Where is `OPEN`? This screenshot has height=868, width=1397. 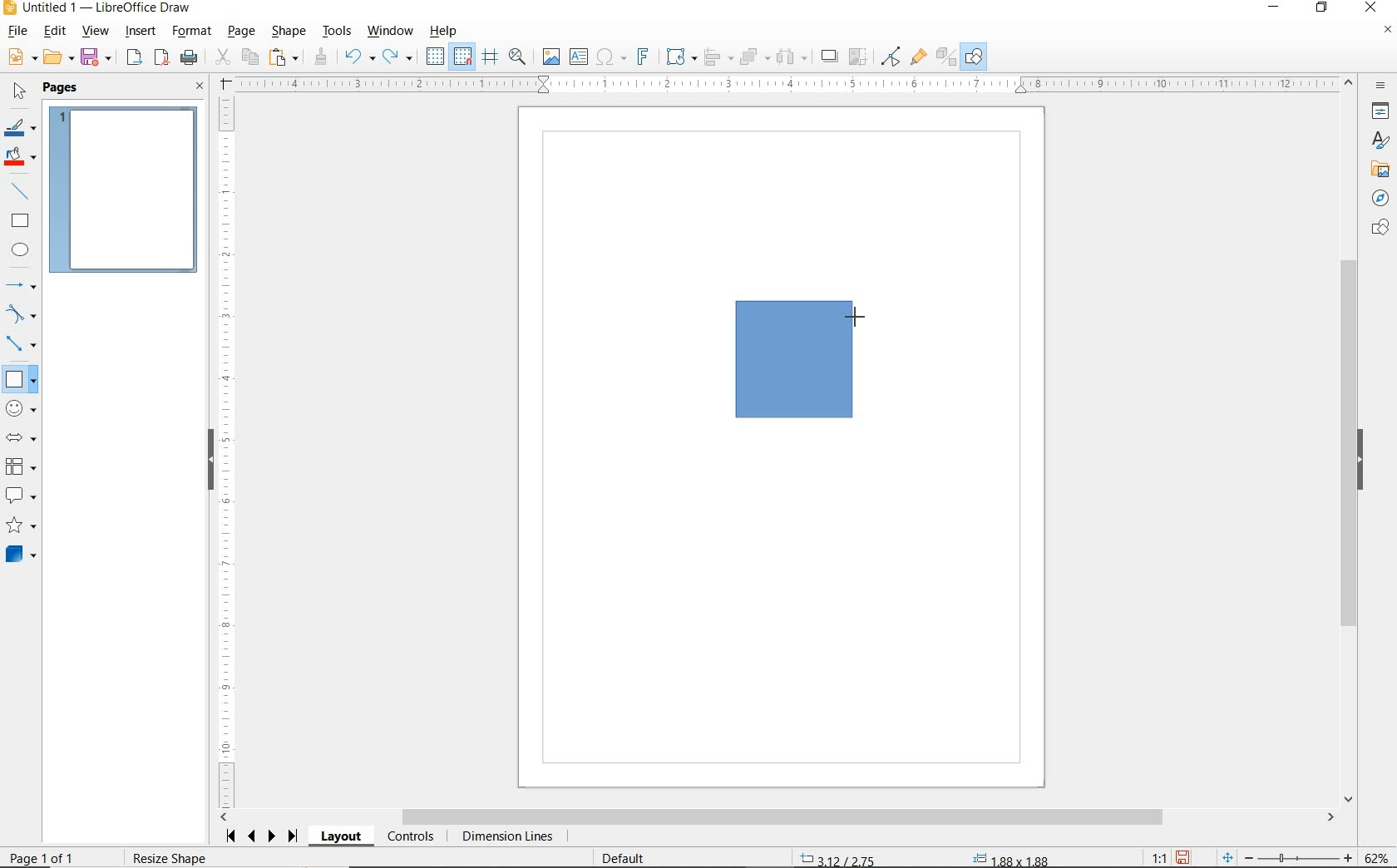
OPEN is located at coordinates (59, 57).